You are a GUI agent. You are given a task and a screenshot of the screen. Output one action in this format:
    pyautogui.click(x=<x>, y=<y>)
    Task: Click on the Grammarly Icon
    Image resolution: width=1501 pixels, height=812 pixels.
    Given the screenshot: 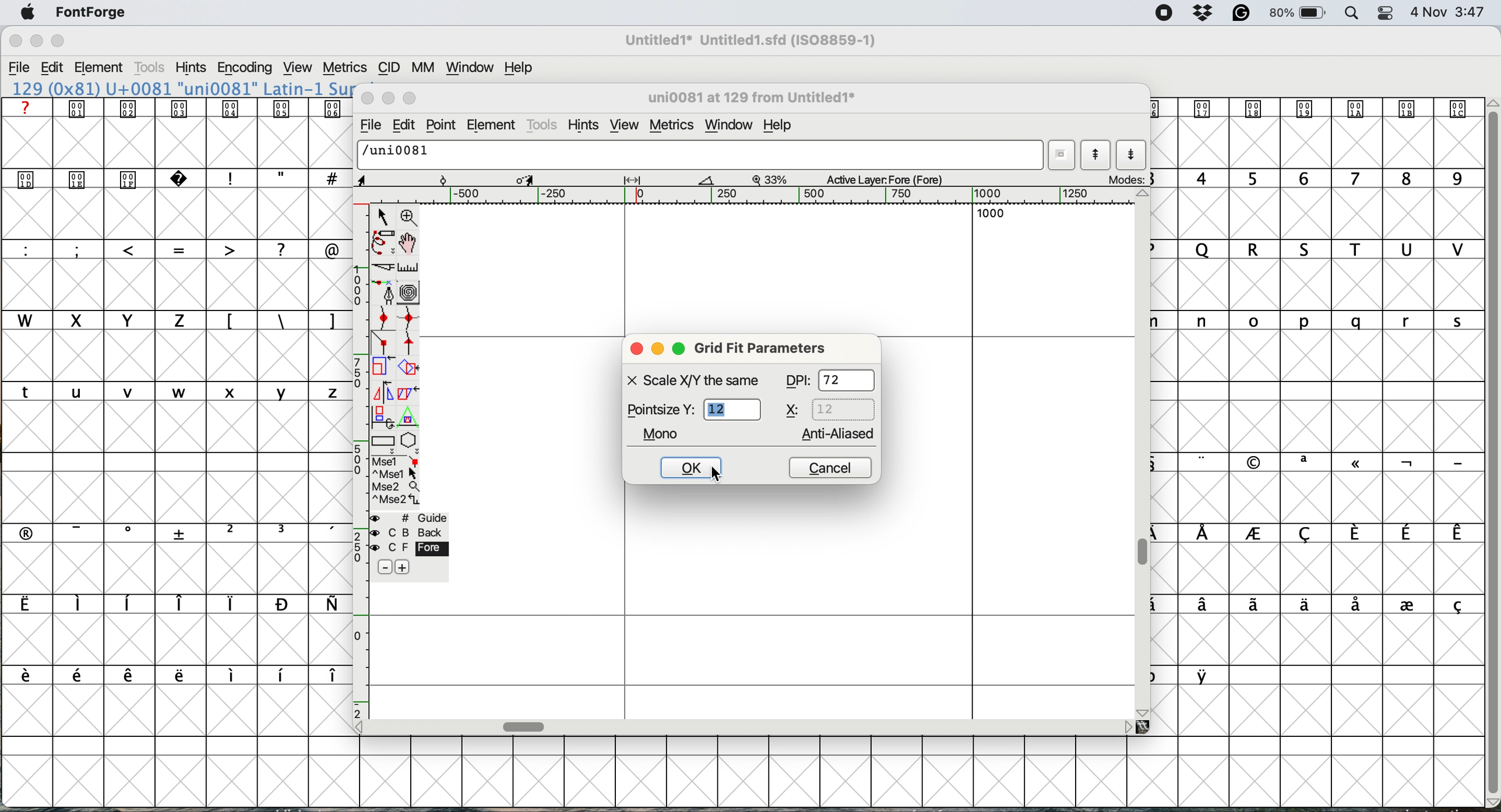 What is the action you would take?
    pyautogui.click(x=1241, y=13)
    